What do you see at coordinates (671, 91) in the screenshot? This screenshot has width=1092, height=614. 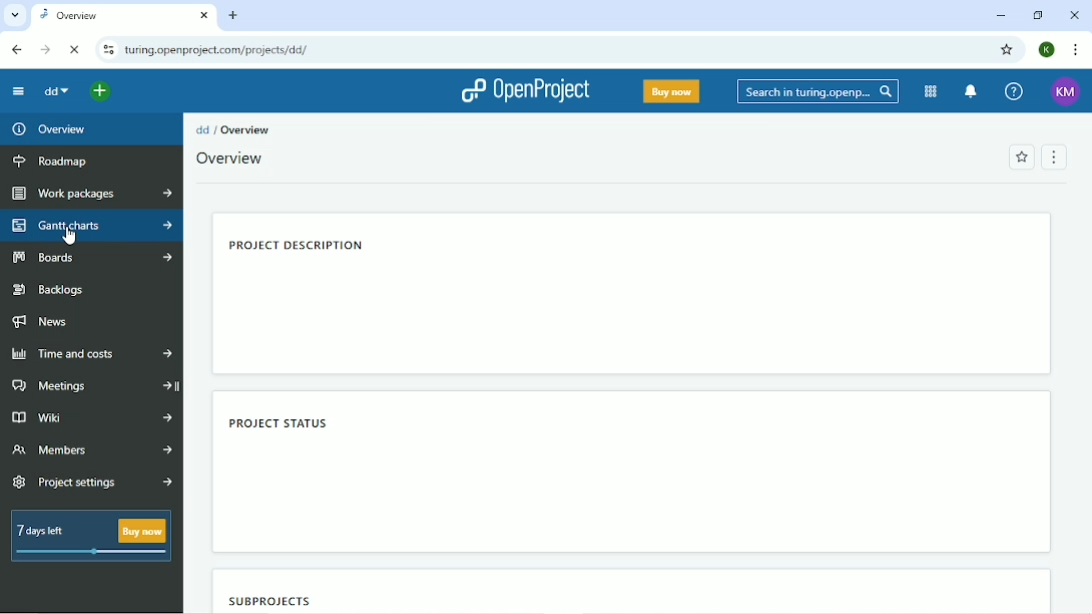 I see `Buy now` at bounding box center [671, 91].